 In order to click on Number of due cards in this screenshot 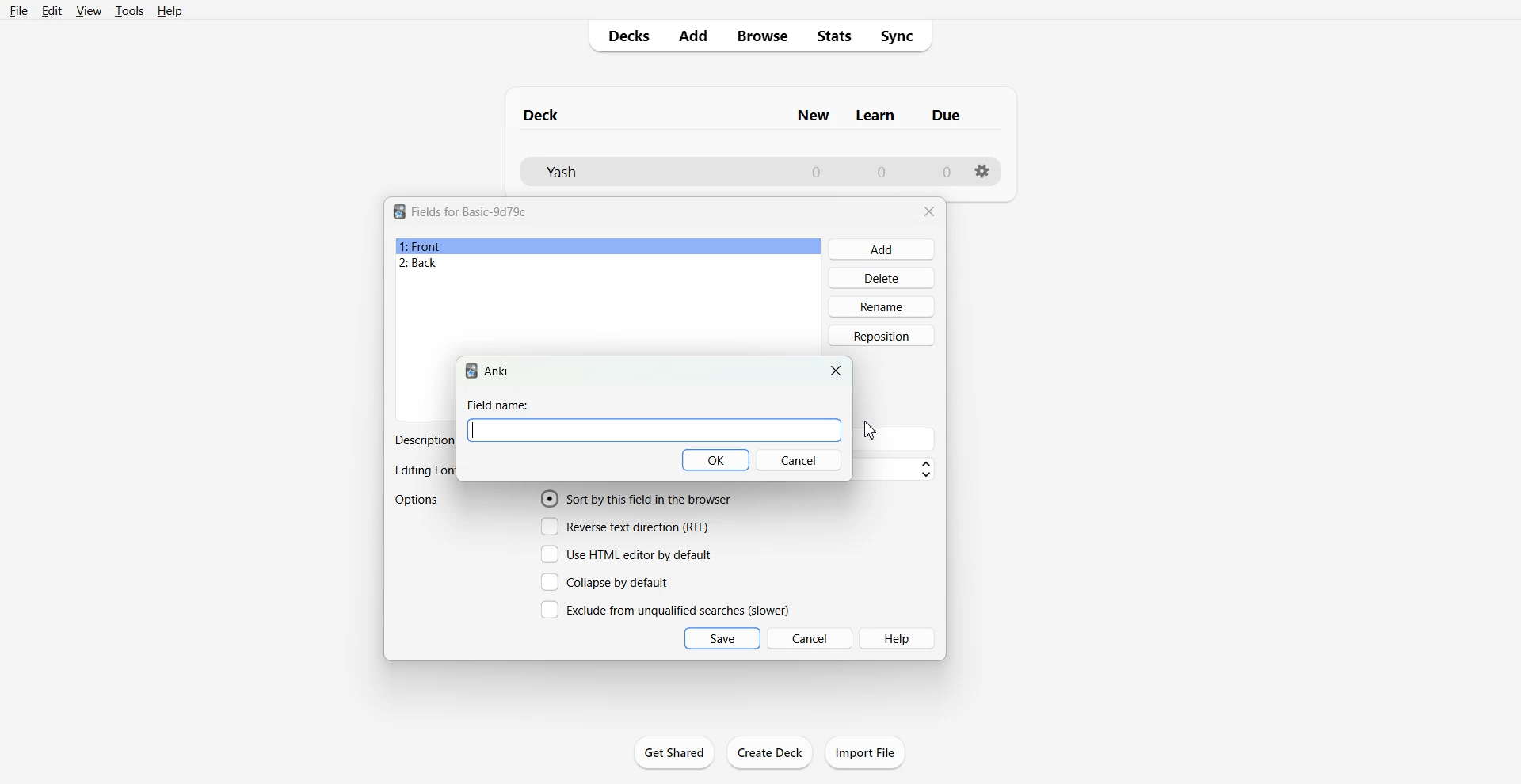, I will do `click(947, 172)`.